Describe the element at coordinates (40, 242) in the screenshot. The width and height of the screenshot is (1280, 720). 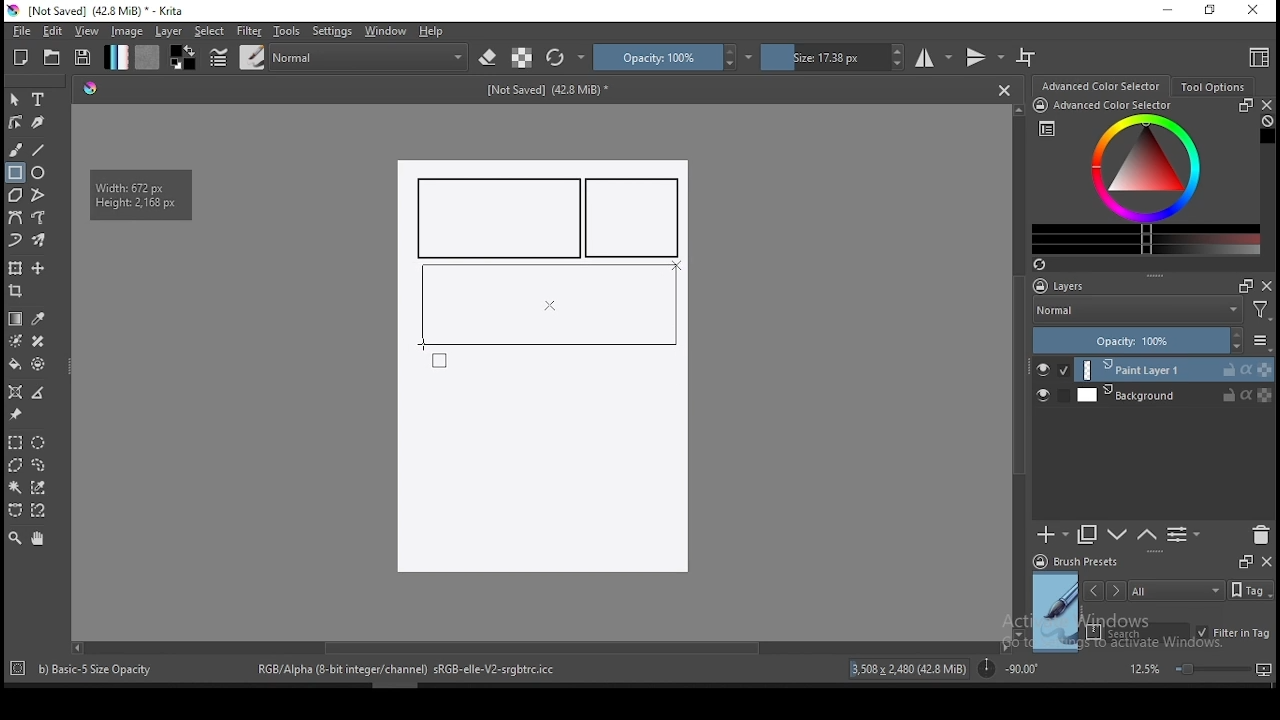
I see `multibrush tool` at that location.